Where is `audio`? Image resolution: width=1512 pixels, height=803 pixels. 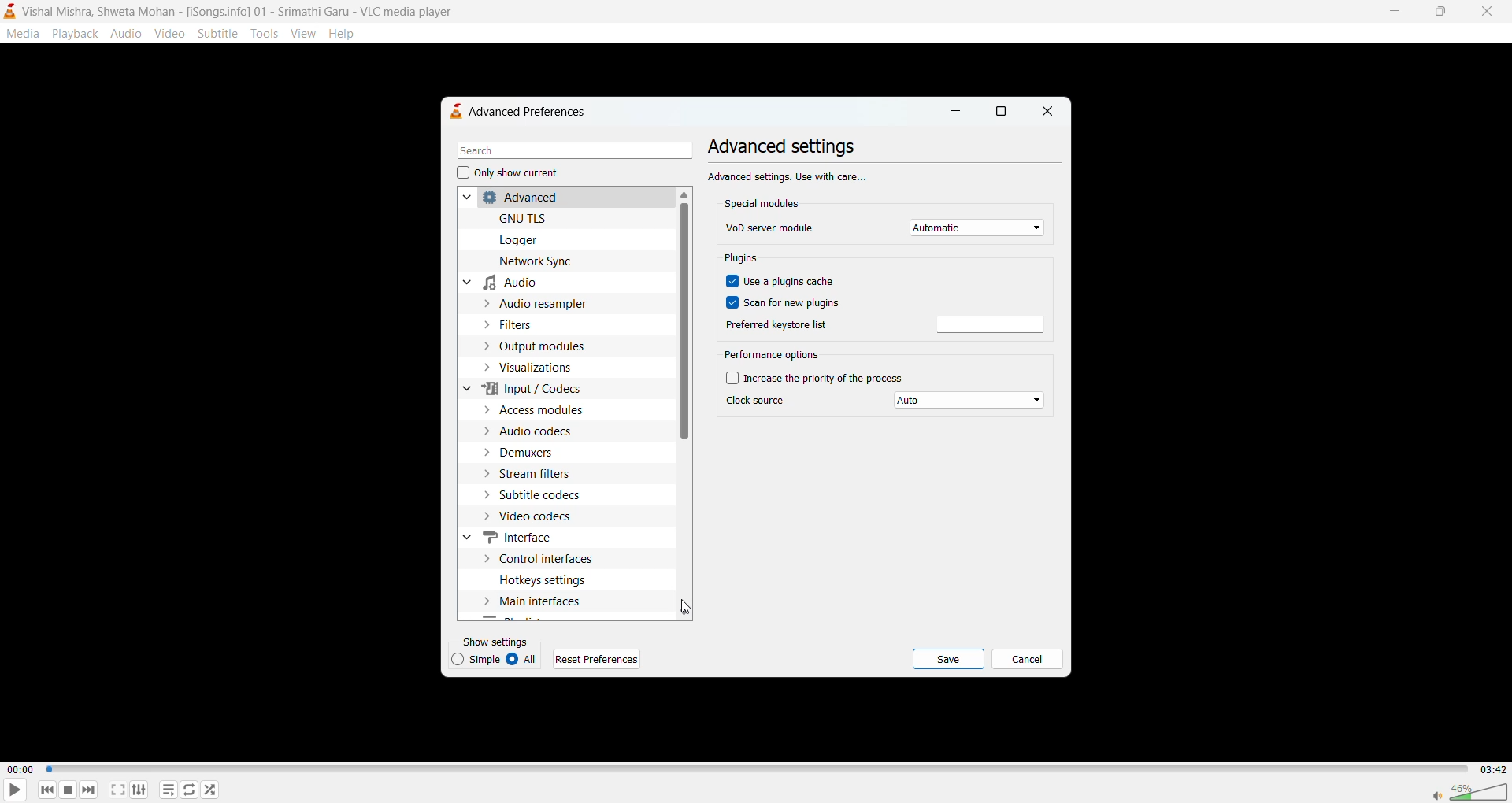
audio is located at coordinates (508, 285).